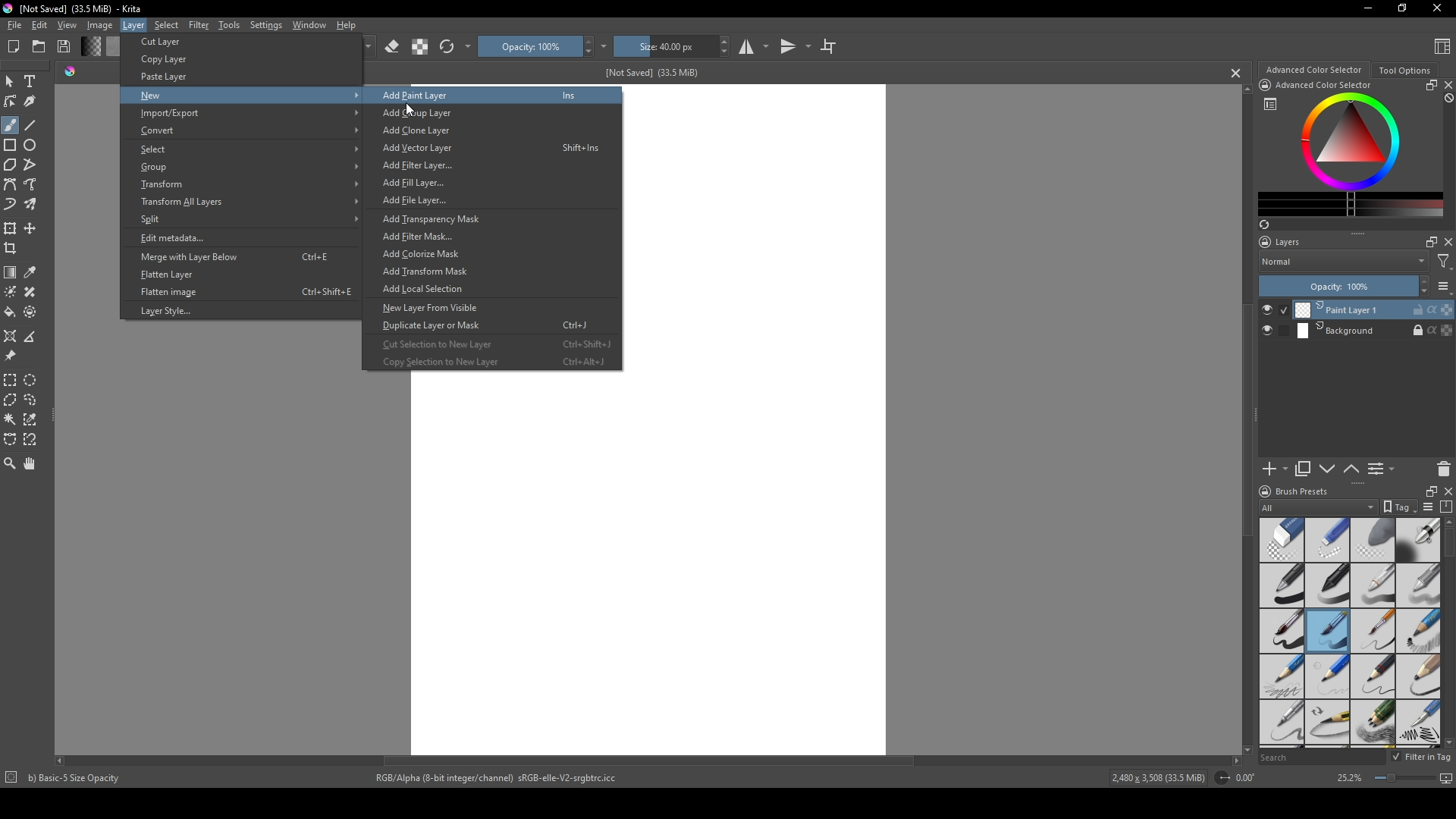 This screenshot has height=819, width=1456. I want to click on Add Vector Layer, so click(494, 148).